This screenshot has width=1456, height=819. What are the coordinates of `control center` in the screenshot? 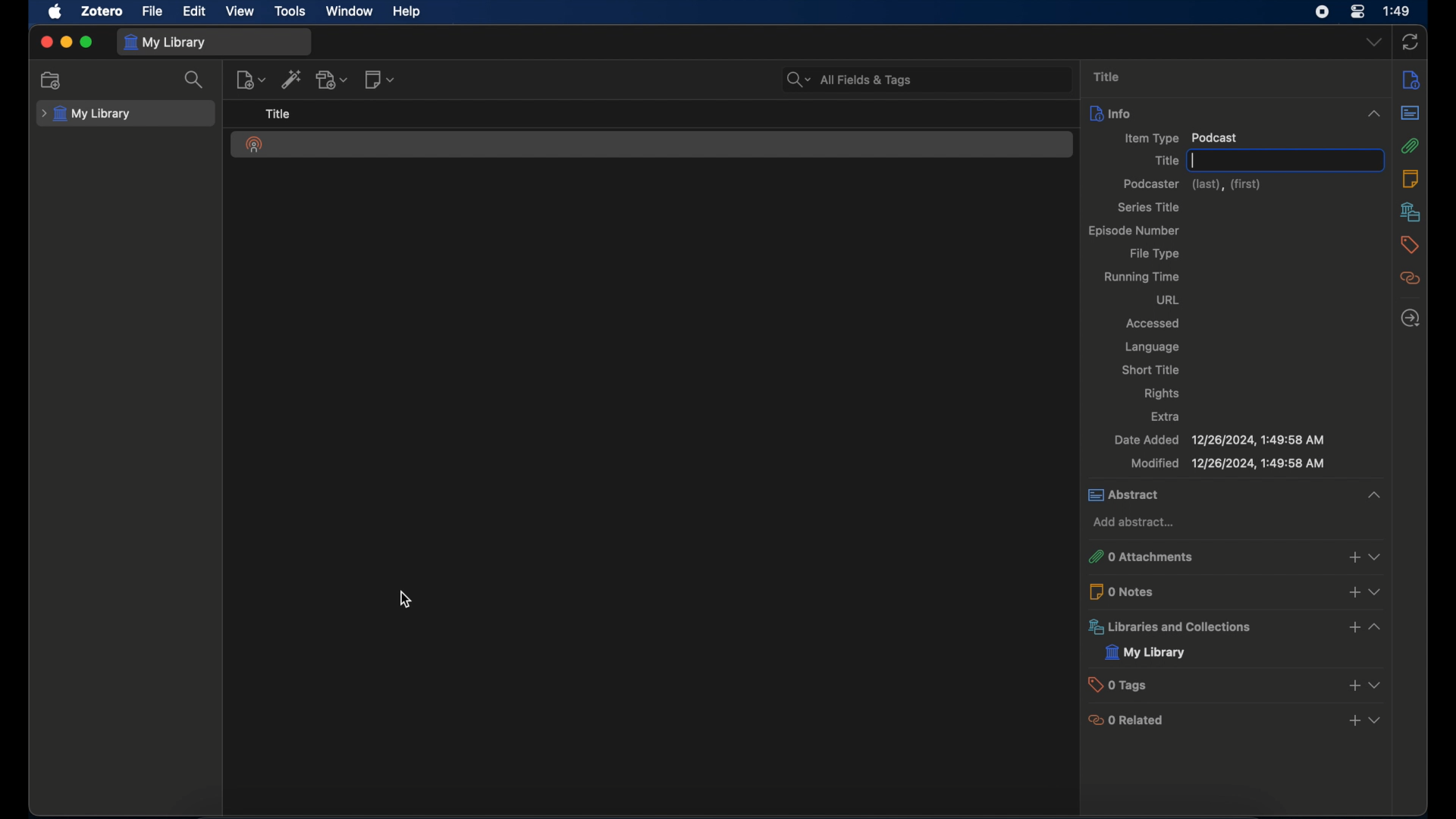 It's located at (1357, 12).